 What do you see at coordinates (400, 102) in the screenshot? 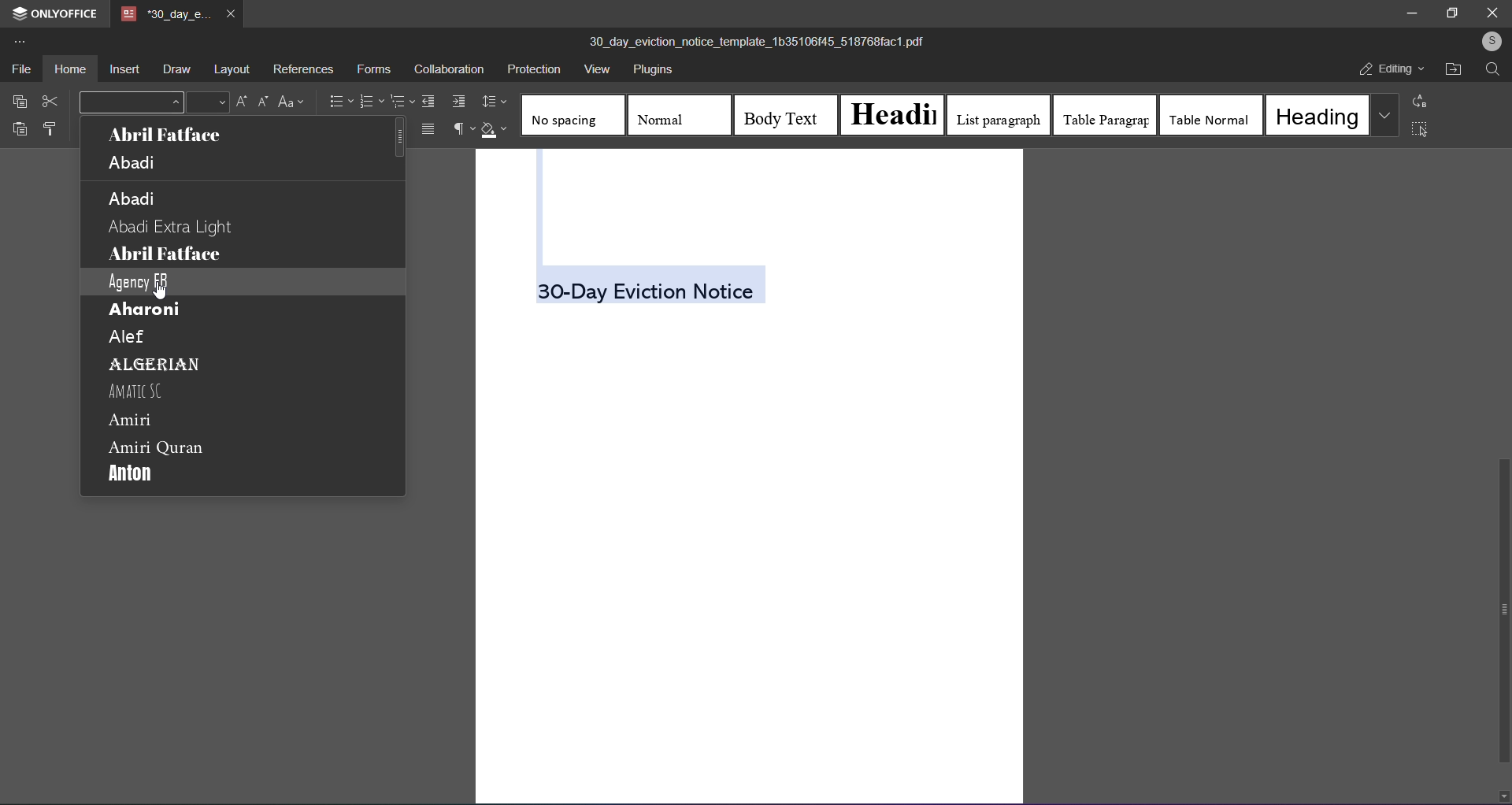
I see `multilevel list` at bounding box center [400, 102].